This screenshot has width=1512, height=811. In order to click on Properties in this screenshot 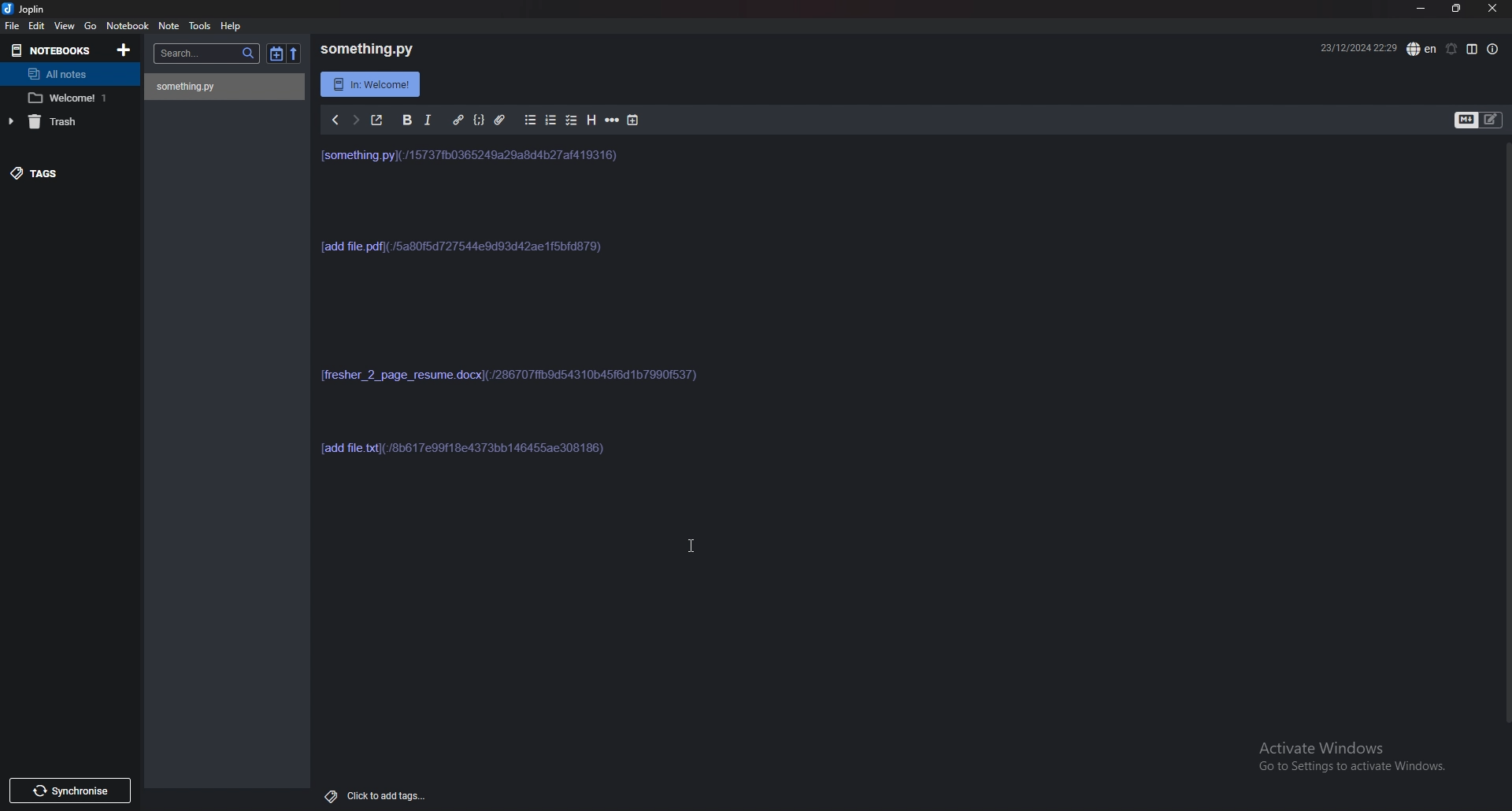, I will do `click(1495, 50)`.